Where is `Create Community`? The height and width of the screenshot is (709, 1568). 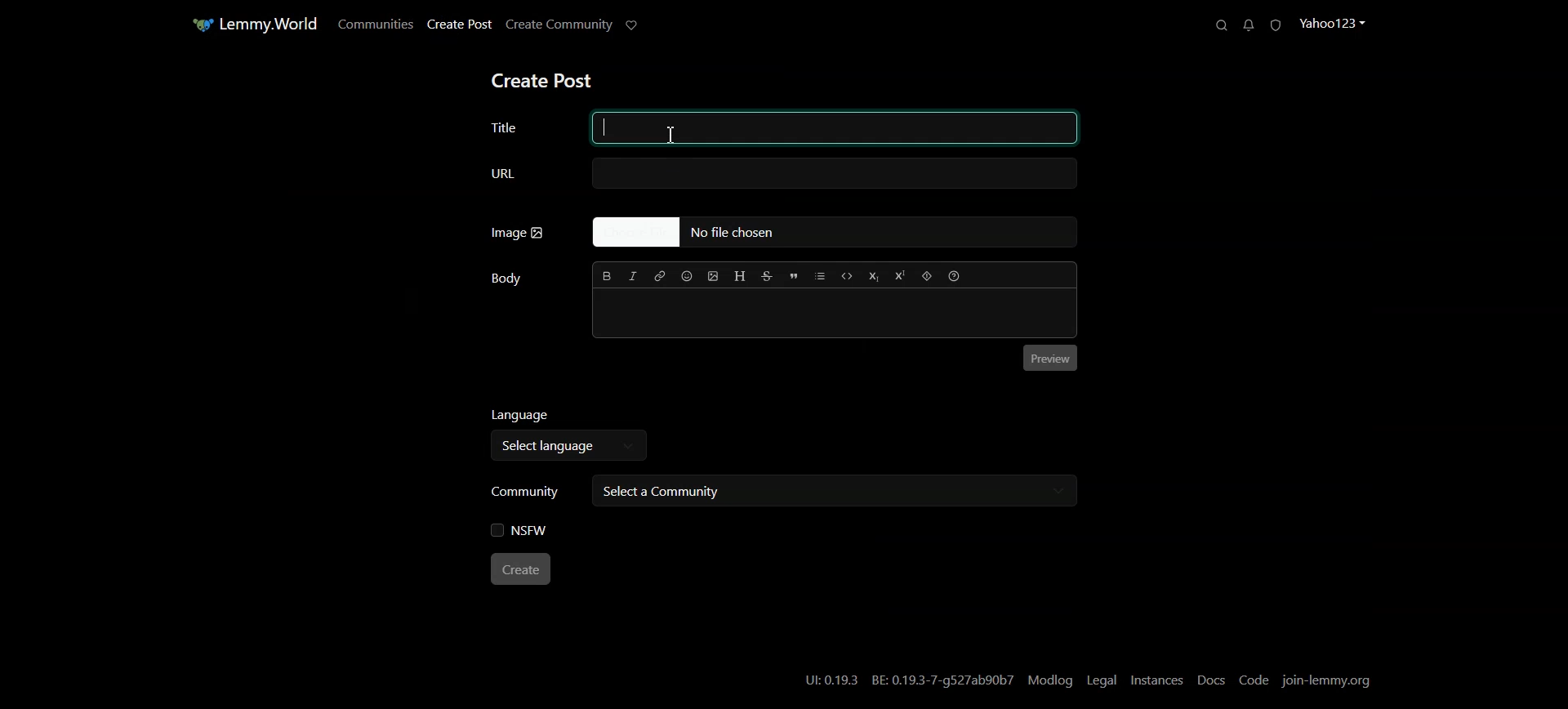
Create Community is located at coordinates (560, 25).